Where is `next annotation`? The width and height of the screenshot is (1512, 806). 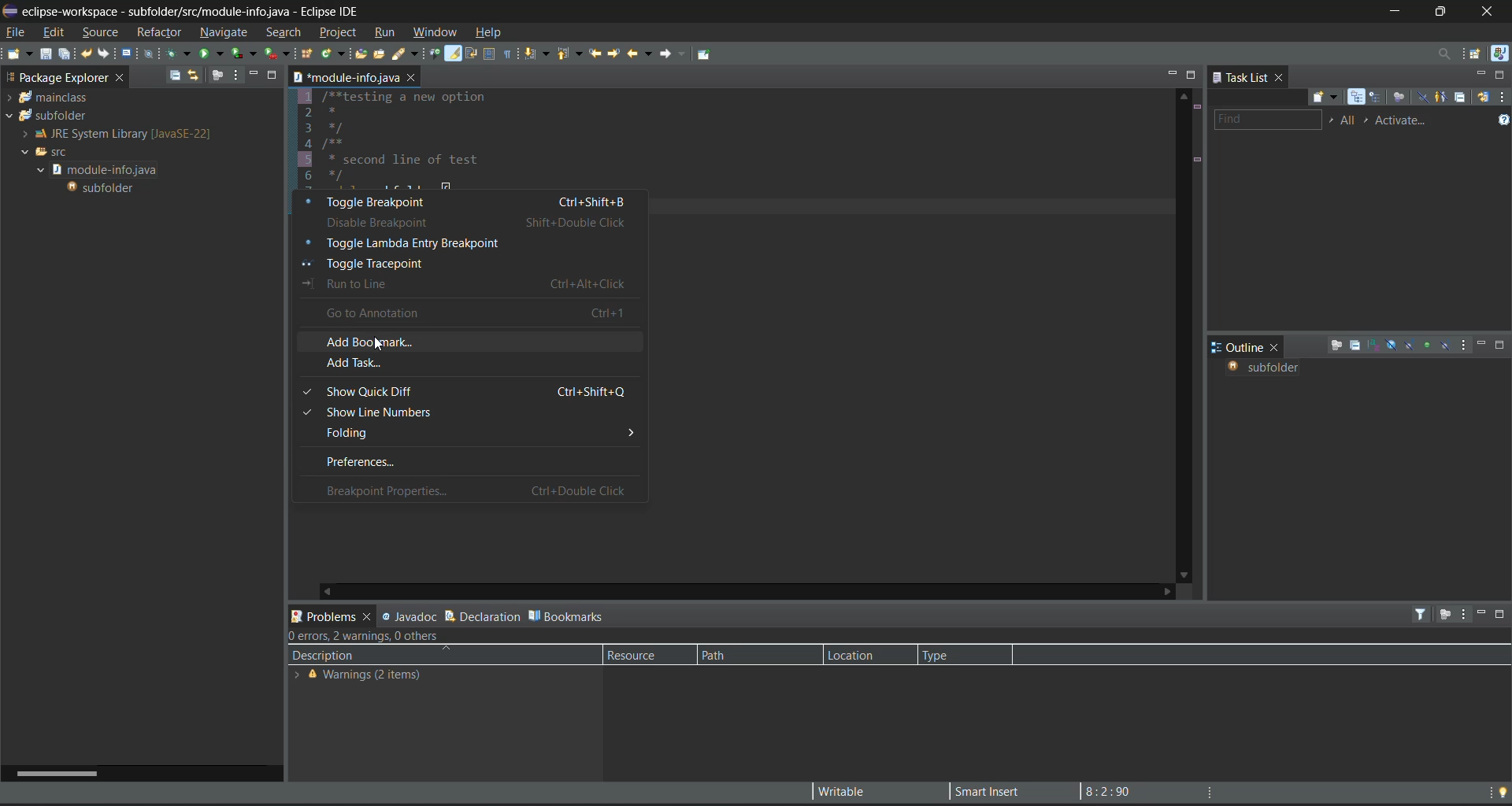
next annotation is located at coordinates (539, 55).